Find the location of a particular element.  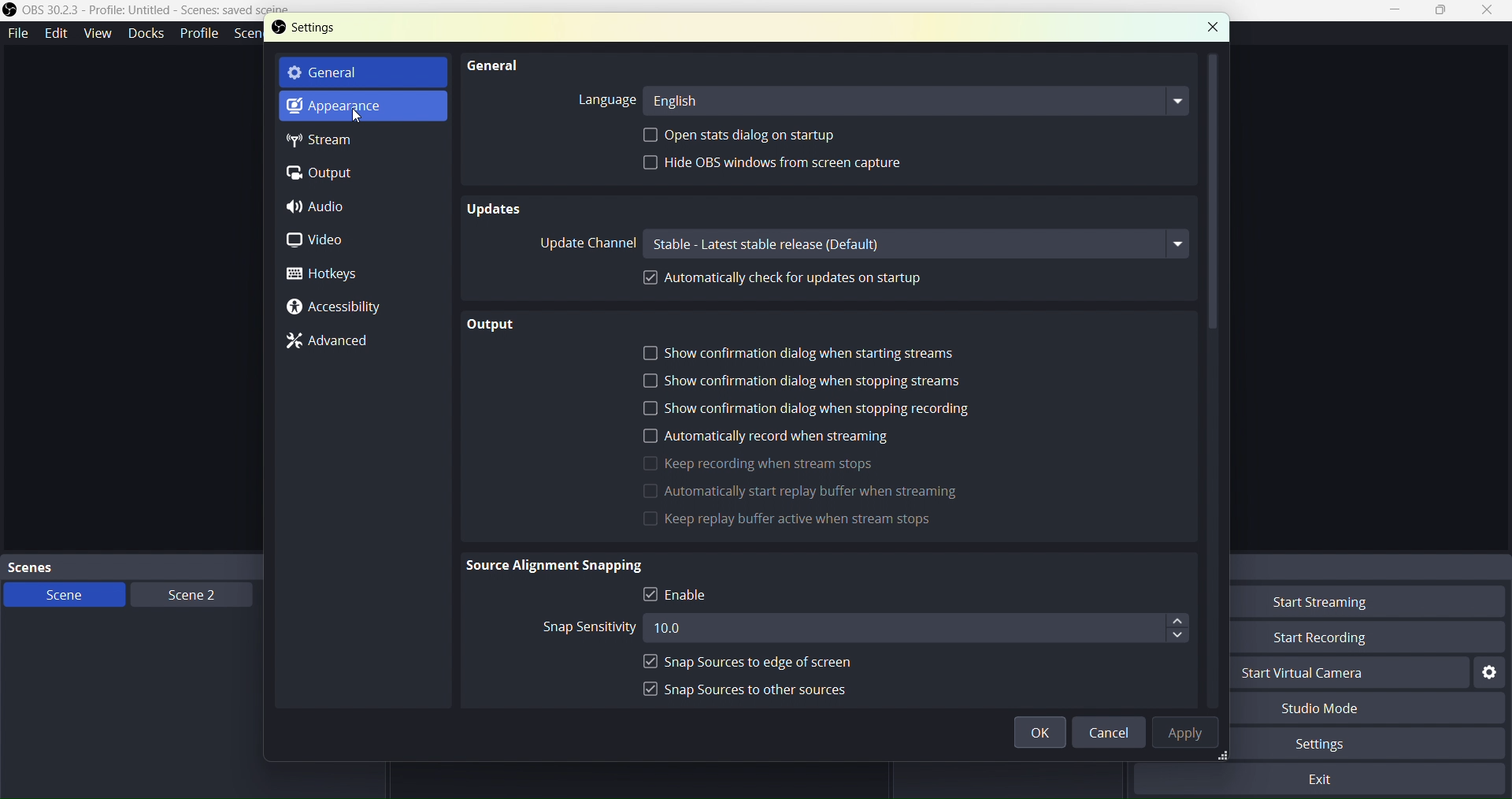

Advanced is located at coordinates (337, 342).